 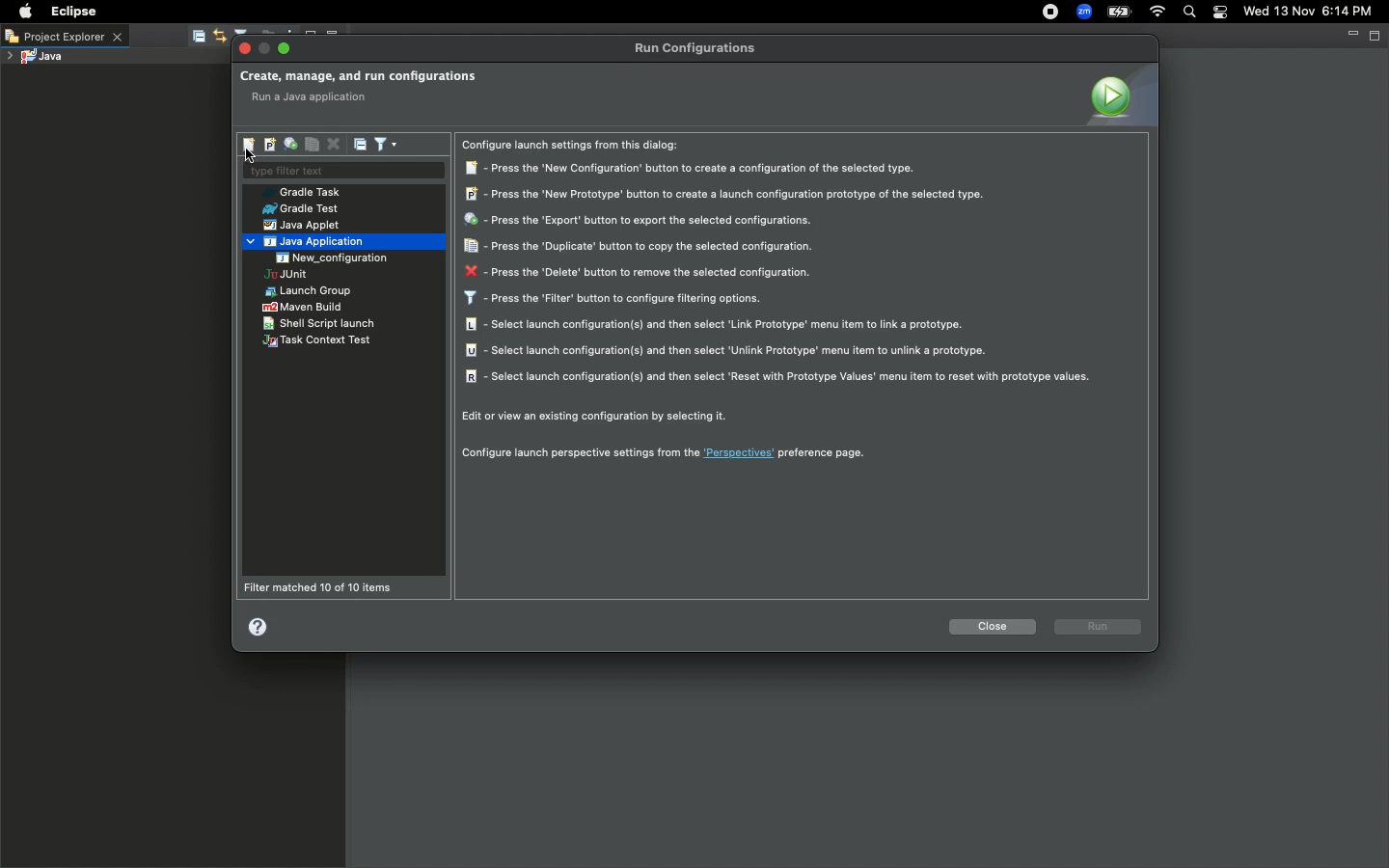 I want to click on Icon, so click(x=1119, y=95).